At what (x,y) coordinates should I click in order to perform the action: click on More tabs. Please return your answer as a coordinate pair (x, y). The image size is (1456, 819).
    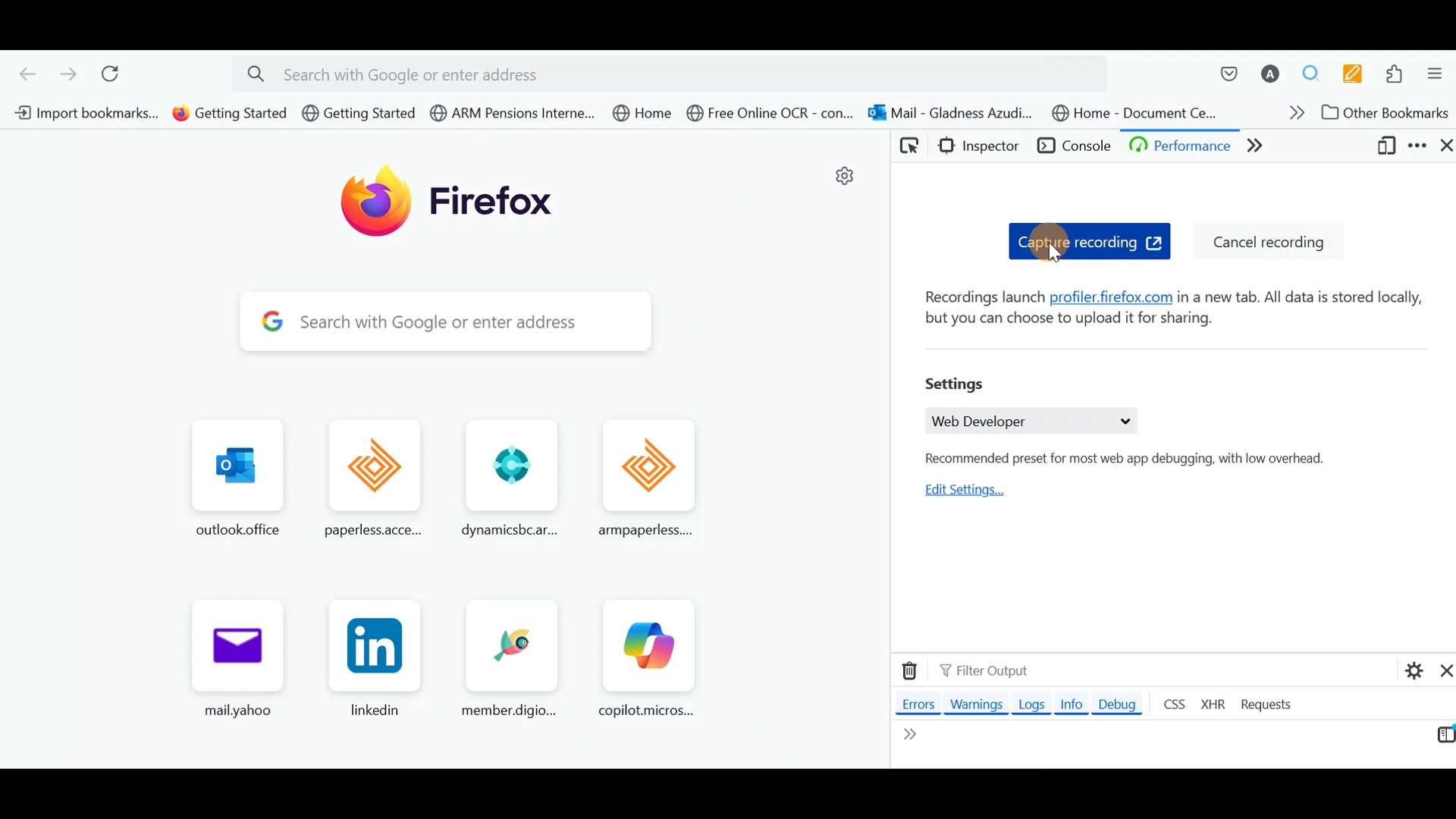
    Looking at the image, I should click on (1339, 146).